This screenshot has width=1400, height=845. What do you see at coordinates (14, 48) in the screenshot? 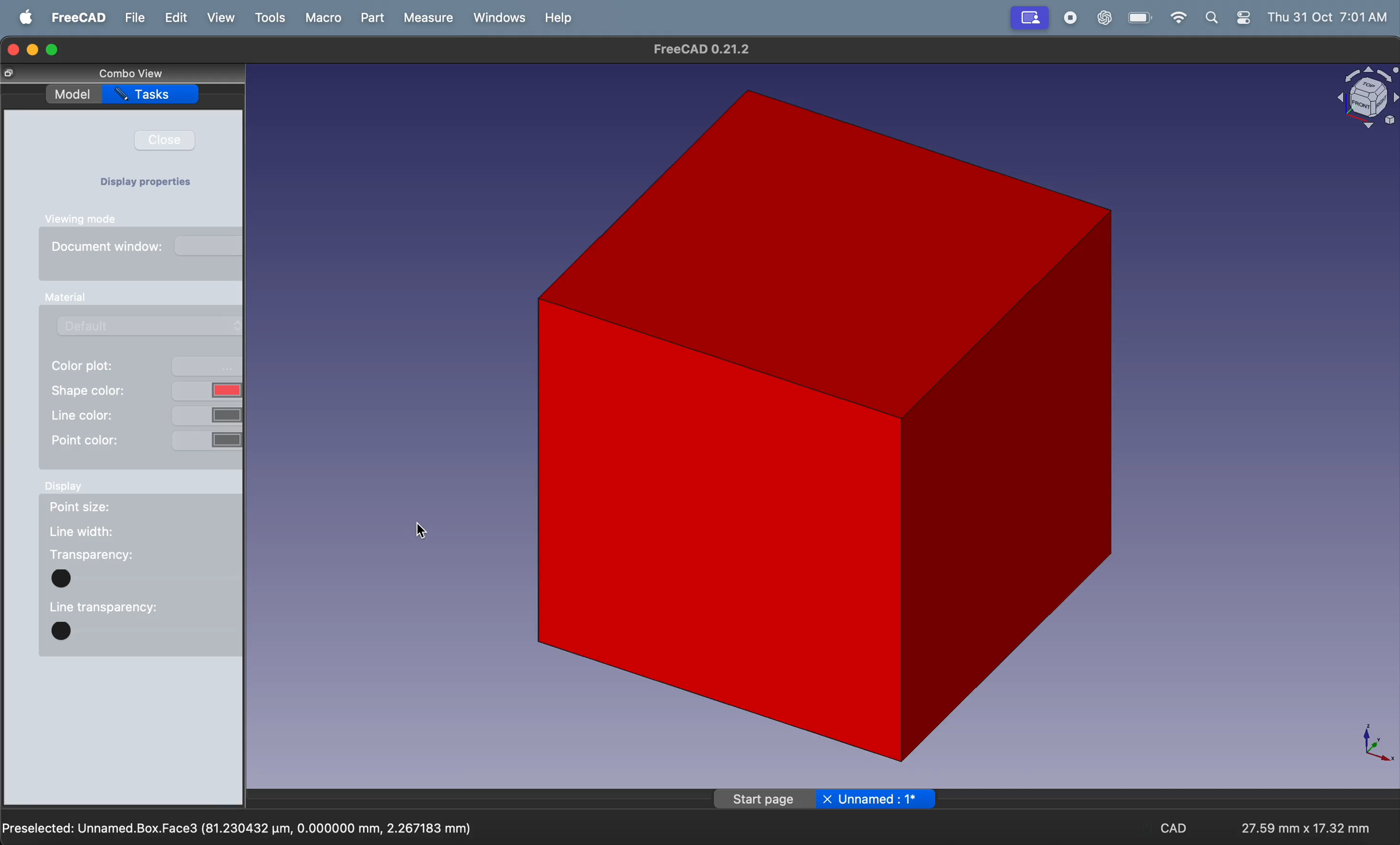
I see `closing window` at bounding box center [14, 48].